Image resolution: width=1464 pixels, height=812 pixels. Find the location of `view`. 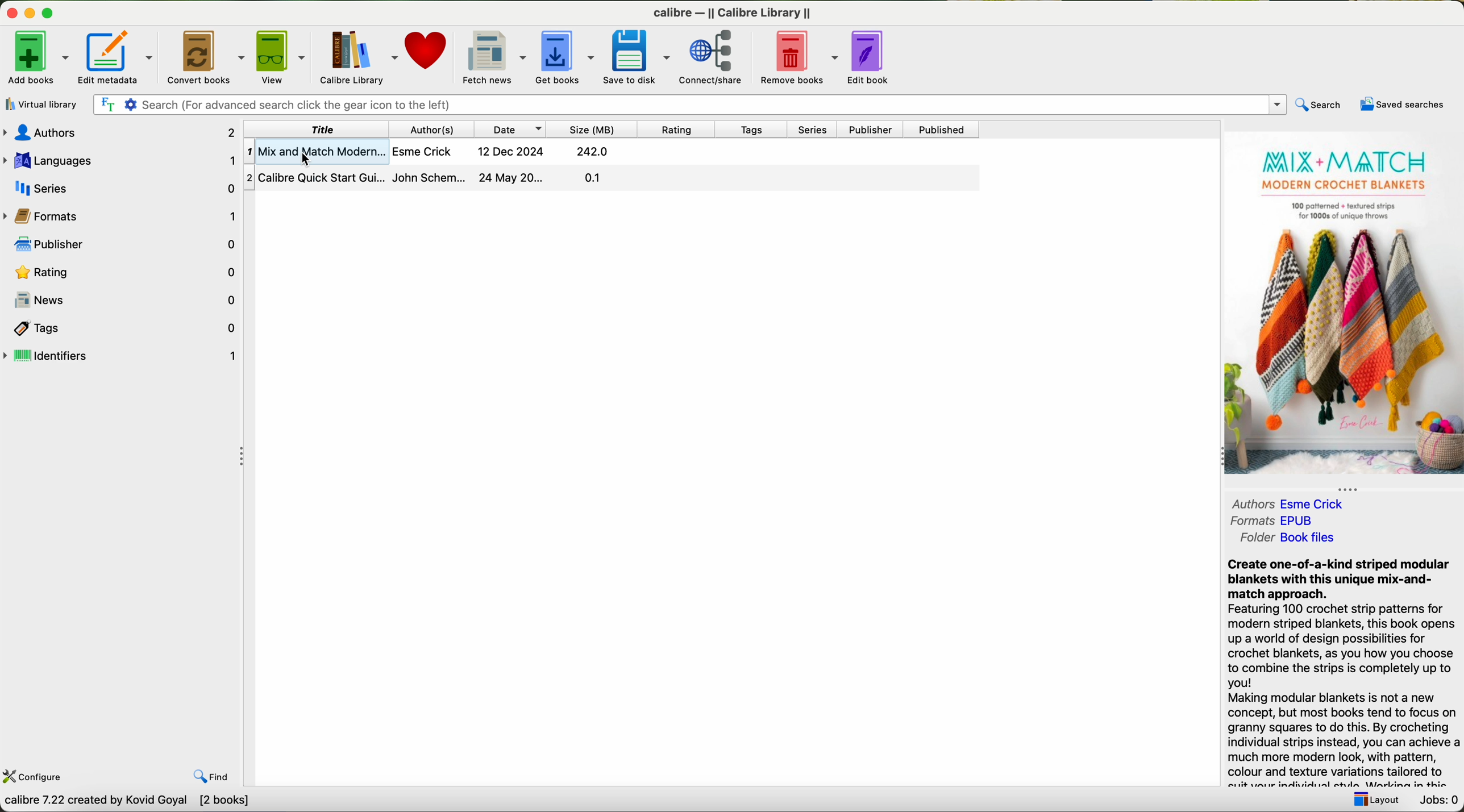

view is located at coordinates (282, 55).